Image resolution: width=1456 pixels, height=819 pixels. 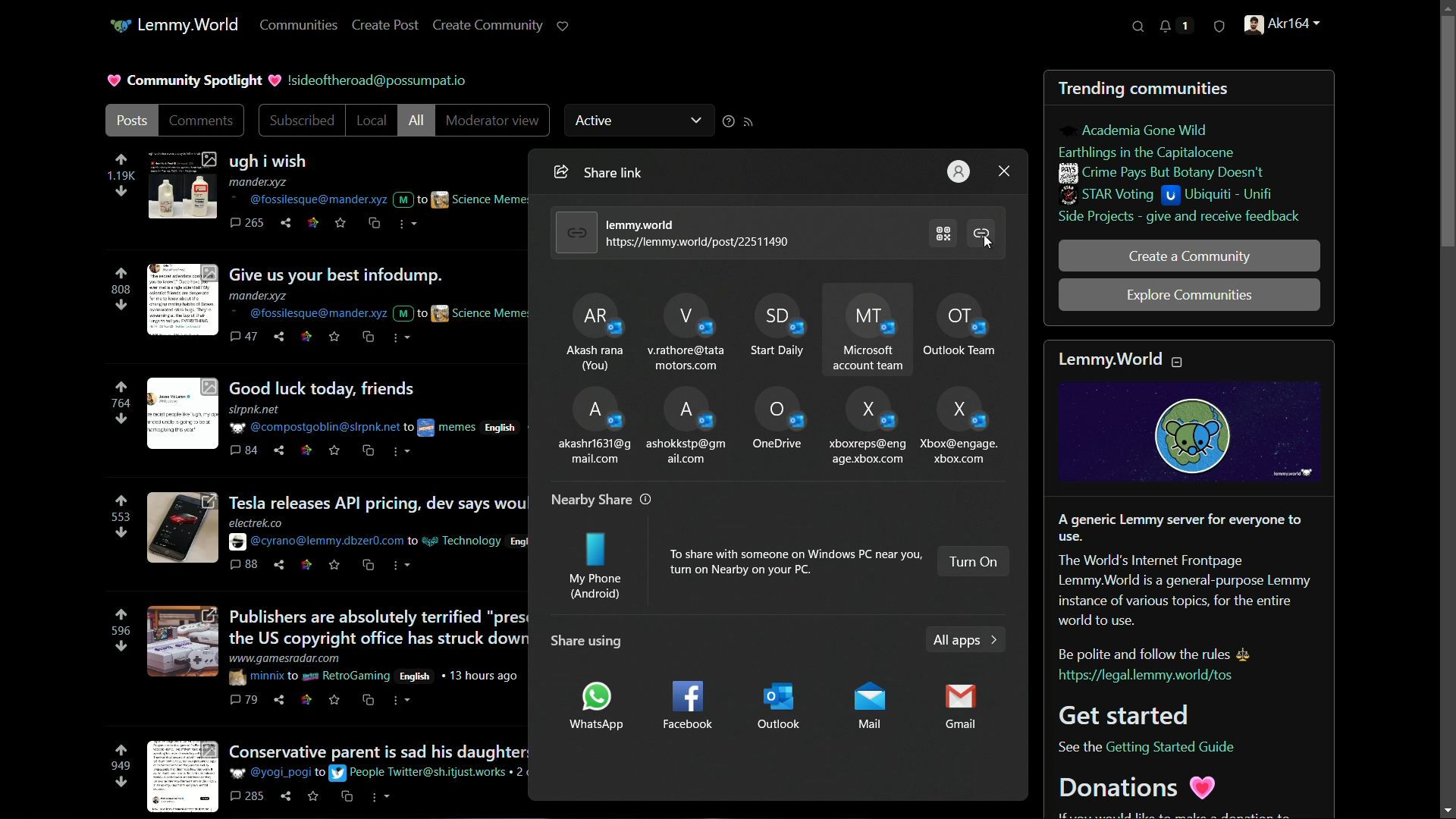 I want to click on xbox@engage.xbox.com, so click(x=959, y=430).